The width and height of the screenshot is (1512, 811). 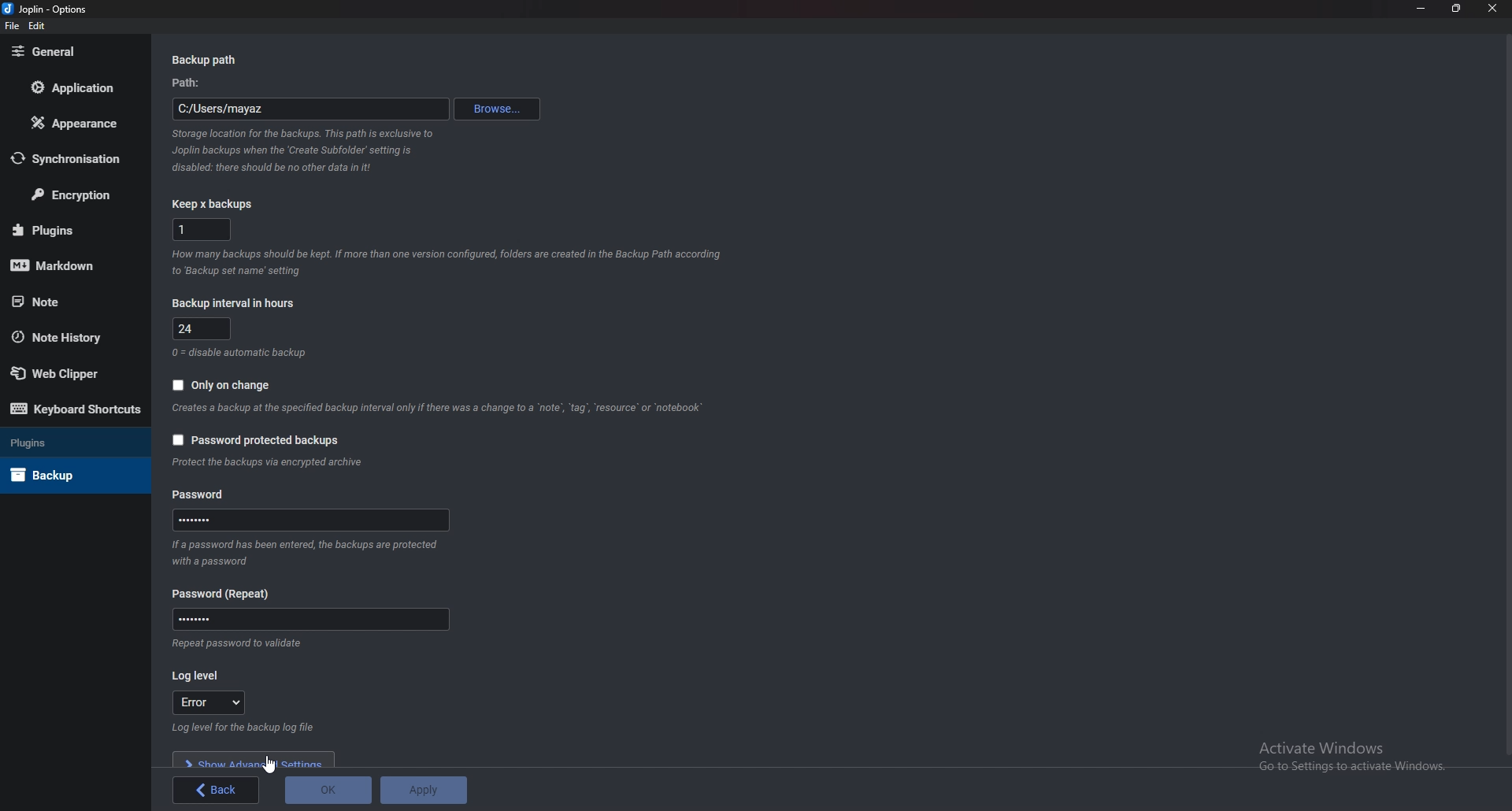 What do you see at coordinates (191, 83) in the screenshot?
I see `path` at bounding box center [191, 83].